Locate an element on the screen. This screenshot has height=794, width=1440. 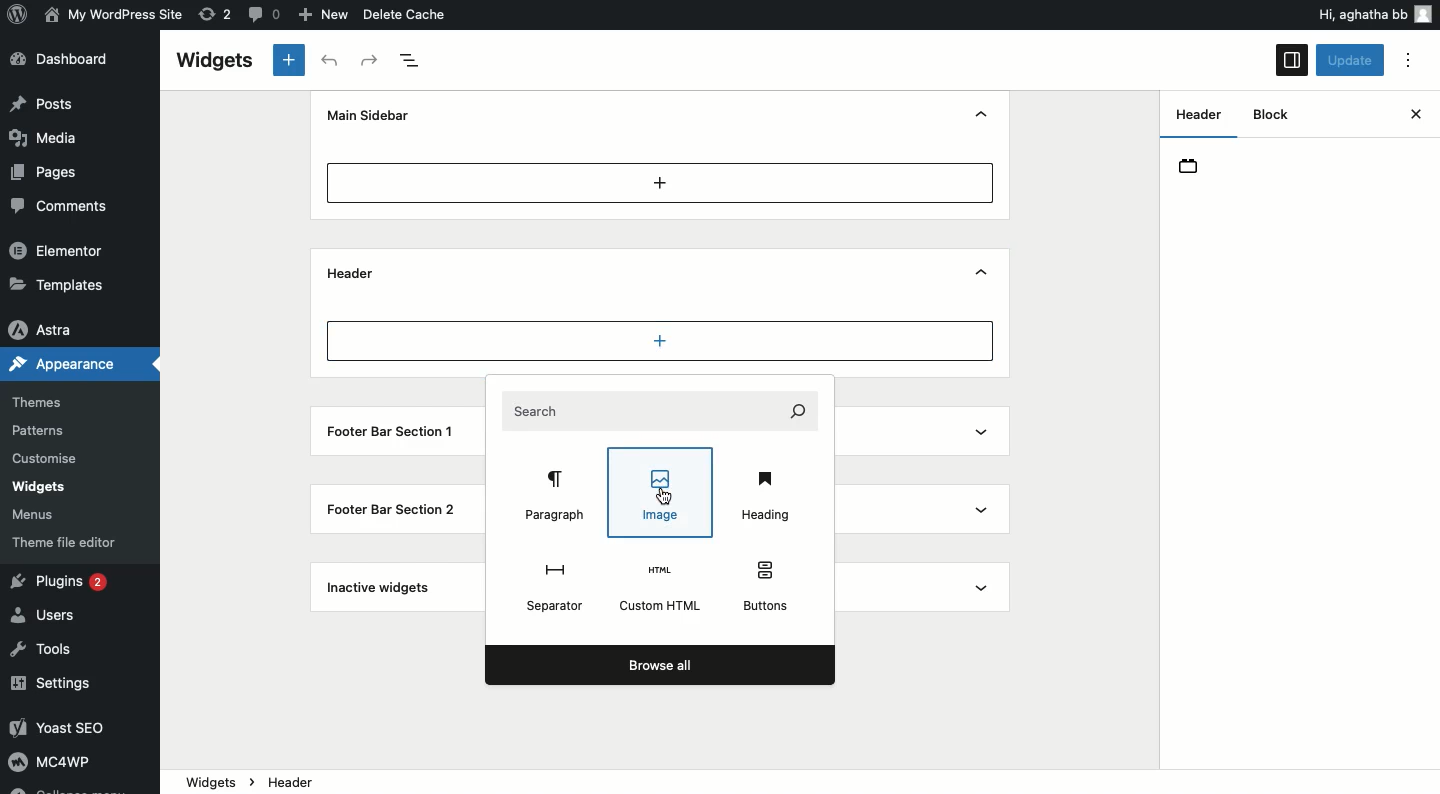
Mine sidebar is located at coordinates (365, 115).